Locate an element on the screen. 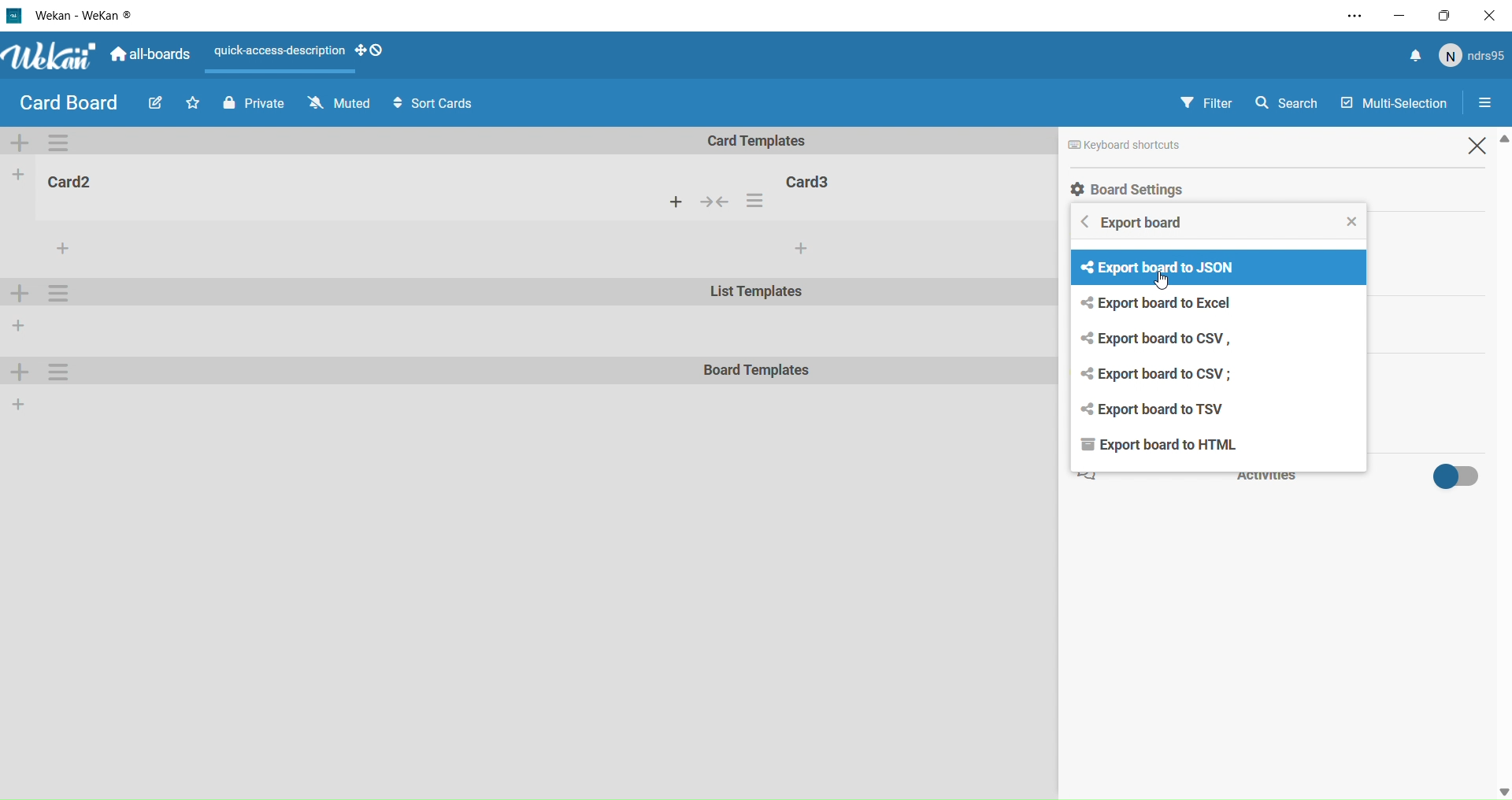 Image resolution: width=1512 pixels, height=800 pixels. Settings is located at coordinates (61, 372).